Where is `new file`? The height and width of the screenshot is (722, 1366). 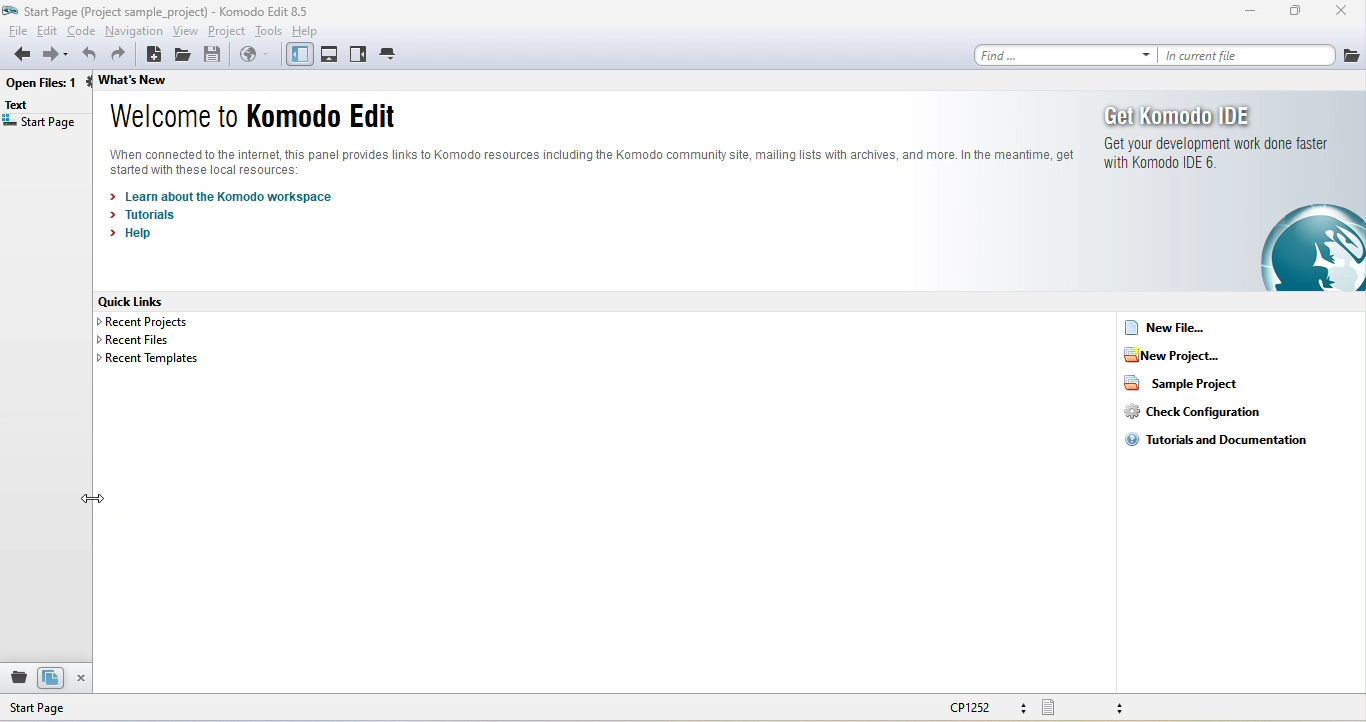
new file is located at coordinates (1191, 327).